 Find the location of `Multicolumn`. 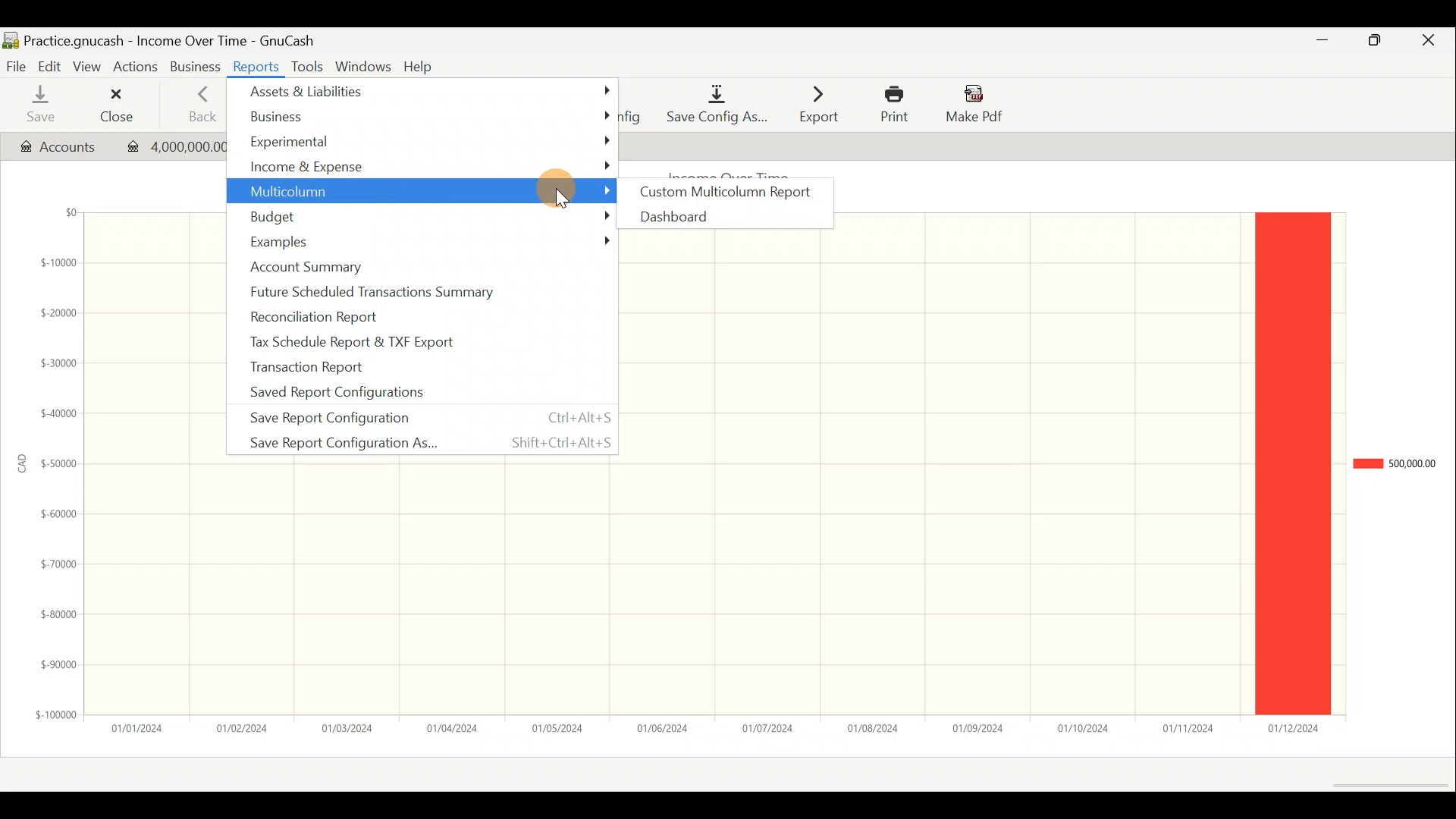

Multicolumn is located at coordinates (422, 193).